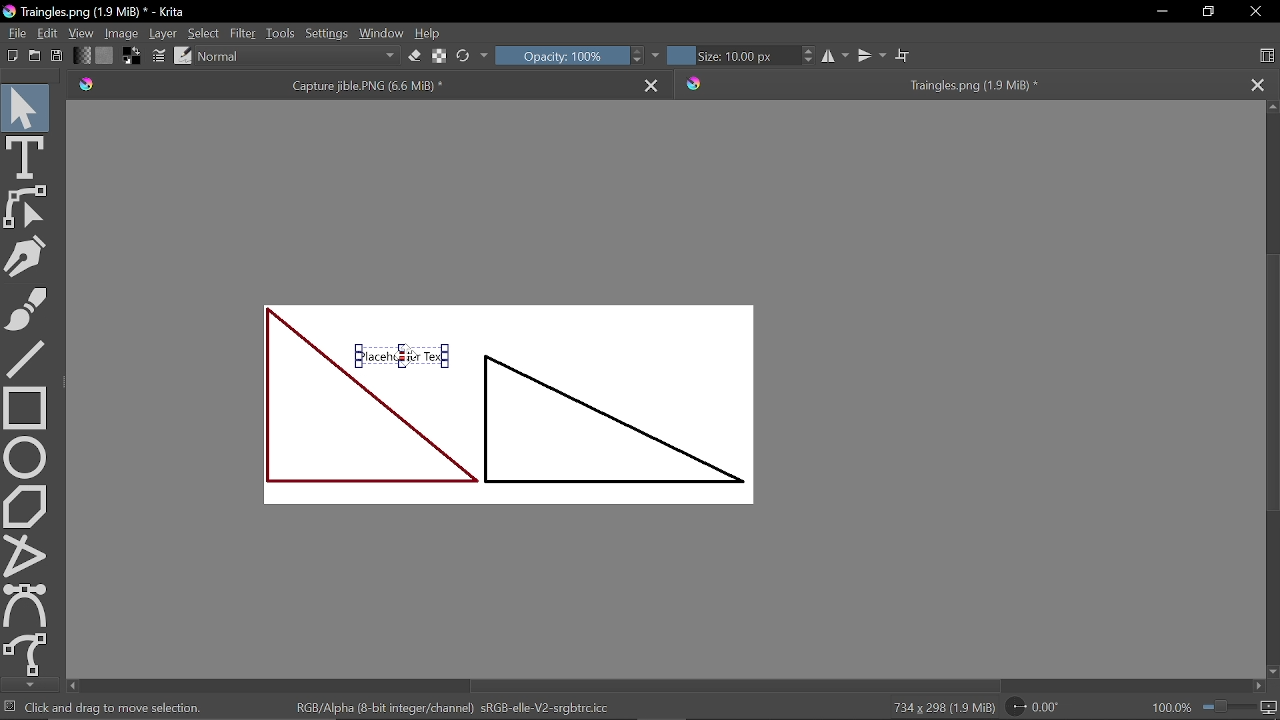  I want to click on Wrap around mode, so click(904, 53).